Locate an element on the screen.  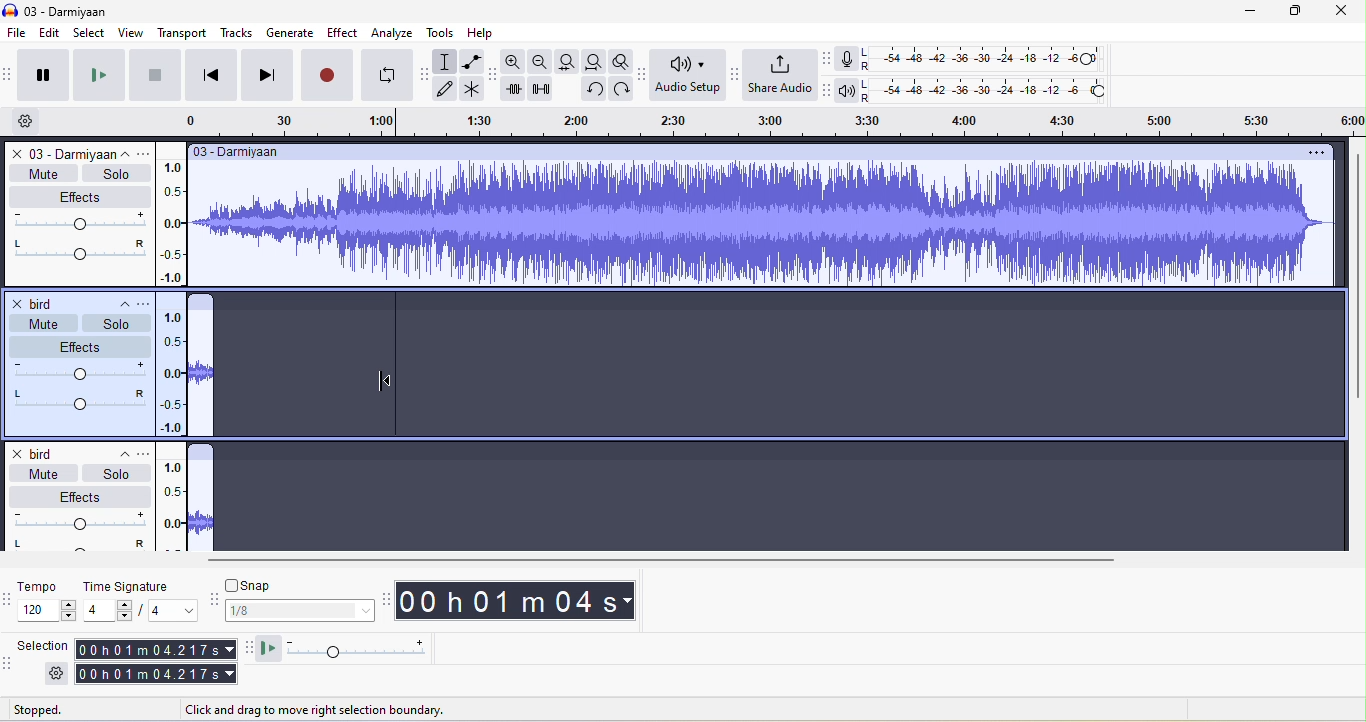
selection is located at coordinates (47, 648).